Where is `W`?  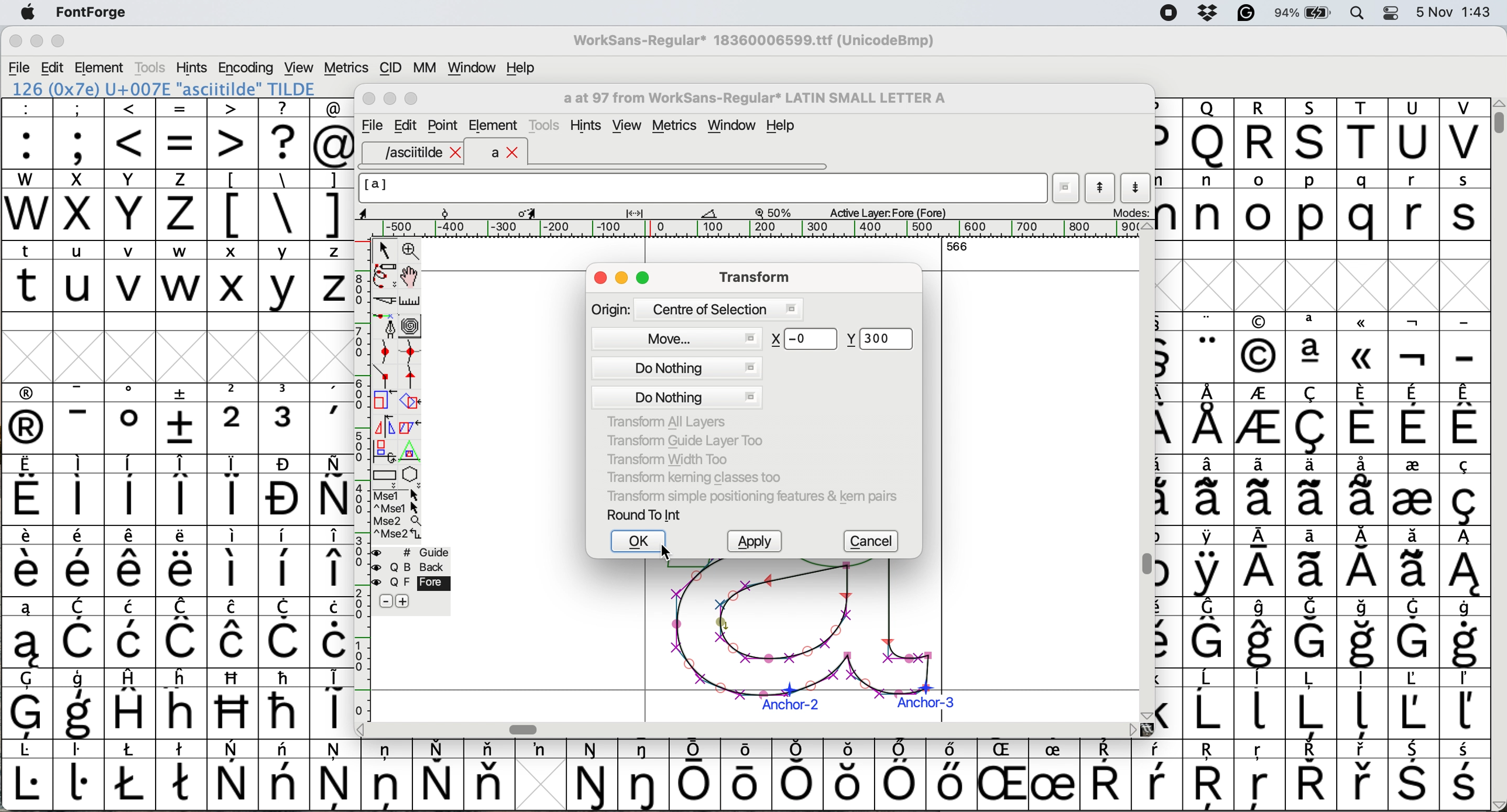
W is located at coordinates (29, 205).